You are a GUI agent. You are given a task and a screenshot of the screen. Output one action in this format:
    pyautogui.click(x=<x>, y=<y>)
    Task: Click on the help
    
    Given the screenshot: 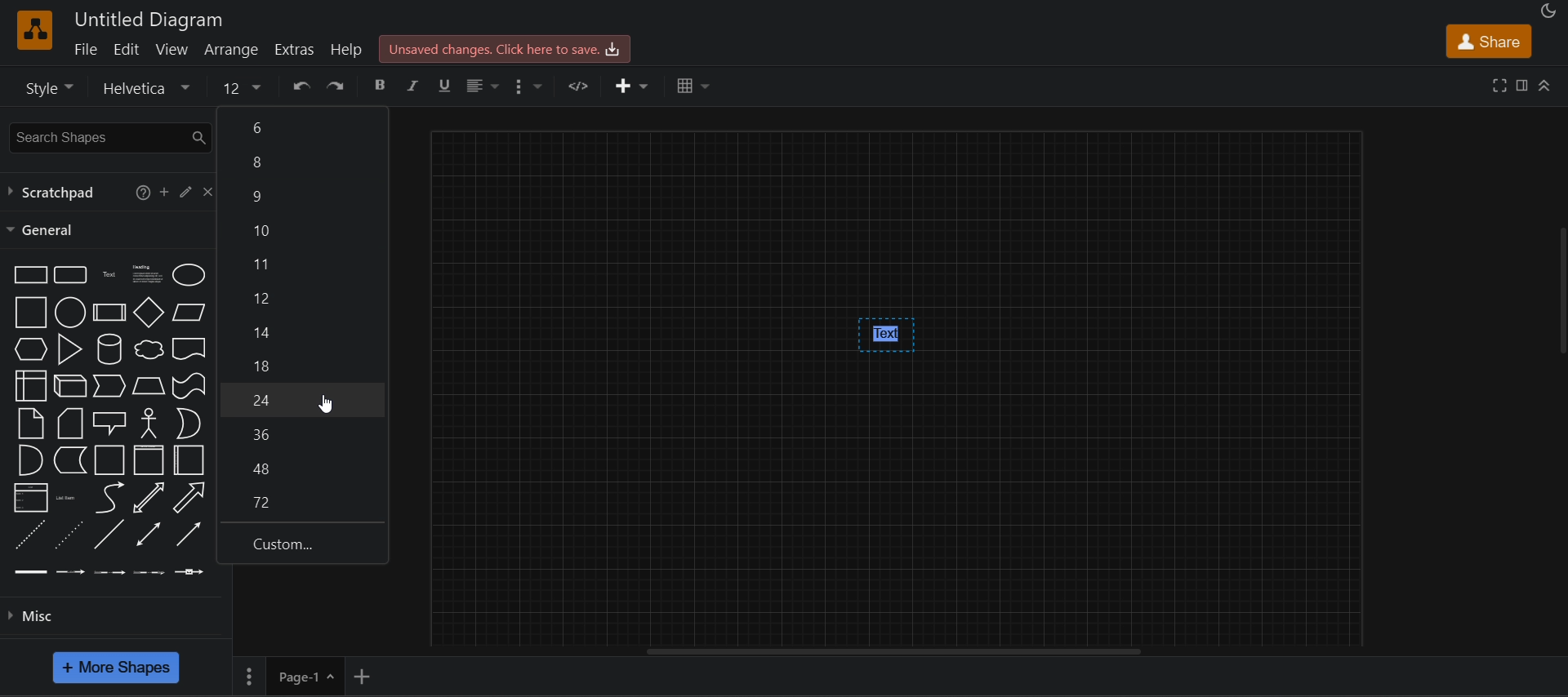 What is the action you would take?
    pyautogui.click(x=142, y=193)
    